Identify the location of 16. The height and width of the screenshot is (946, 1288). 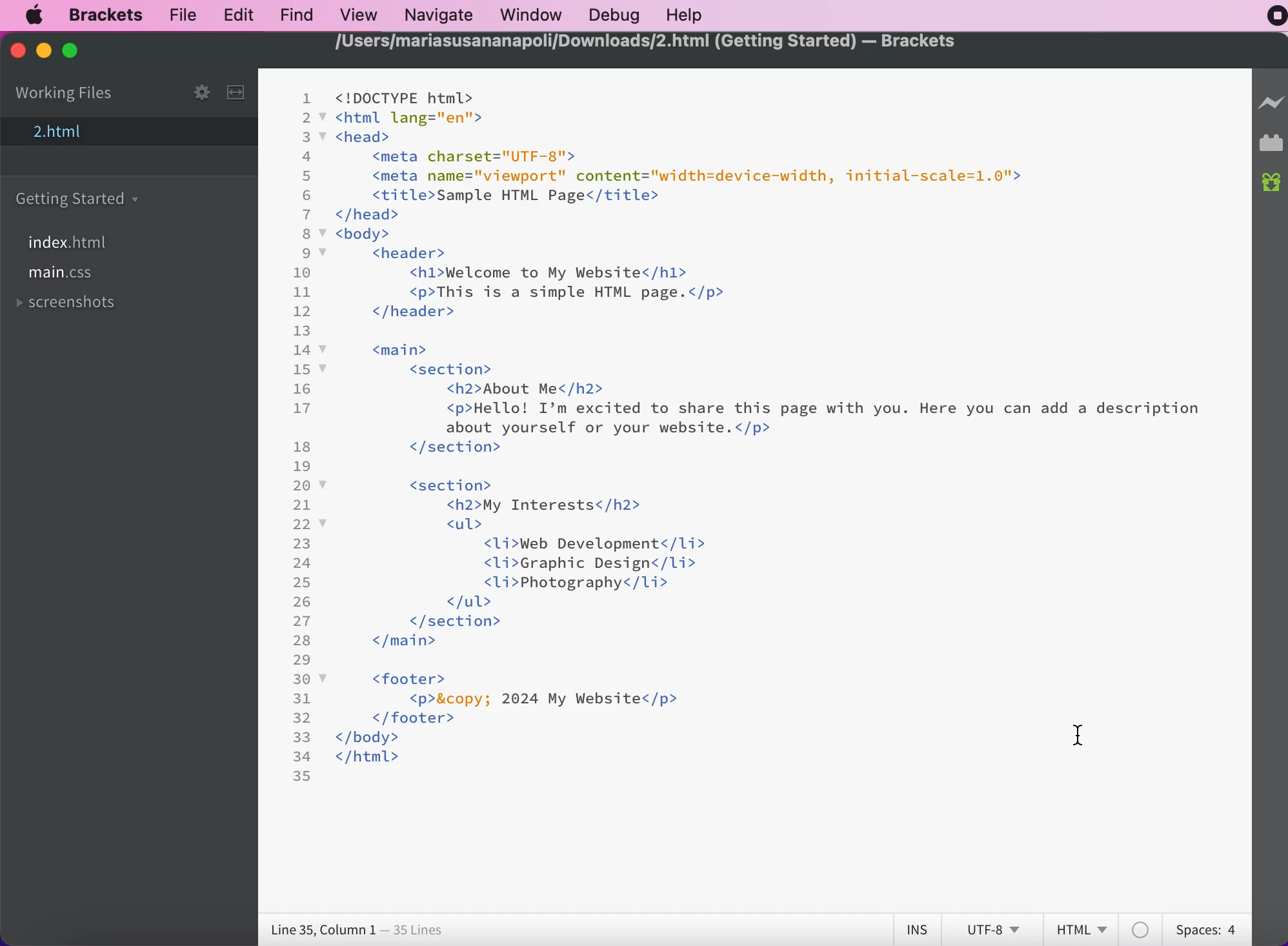
(303, 389).